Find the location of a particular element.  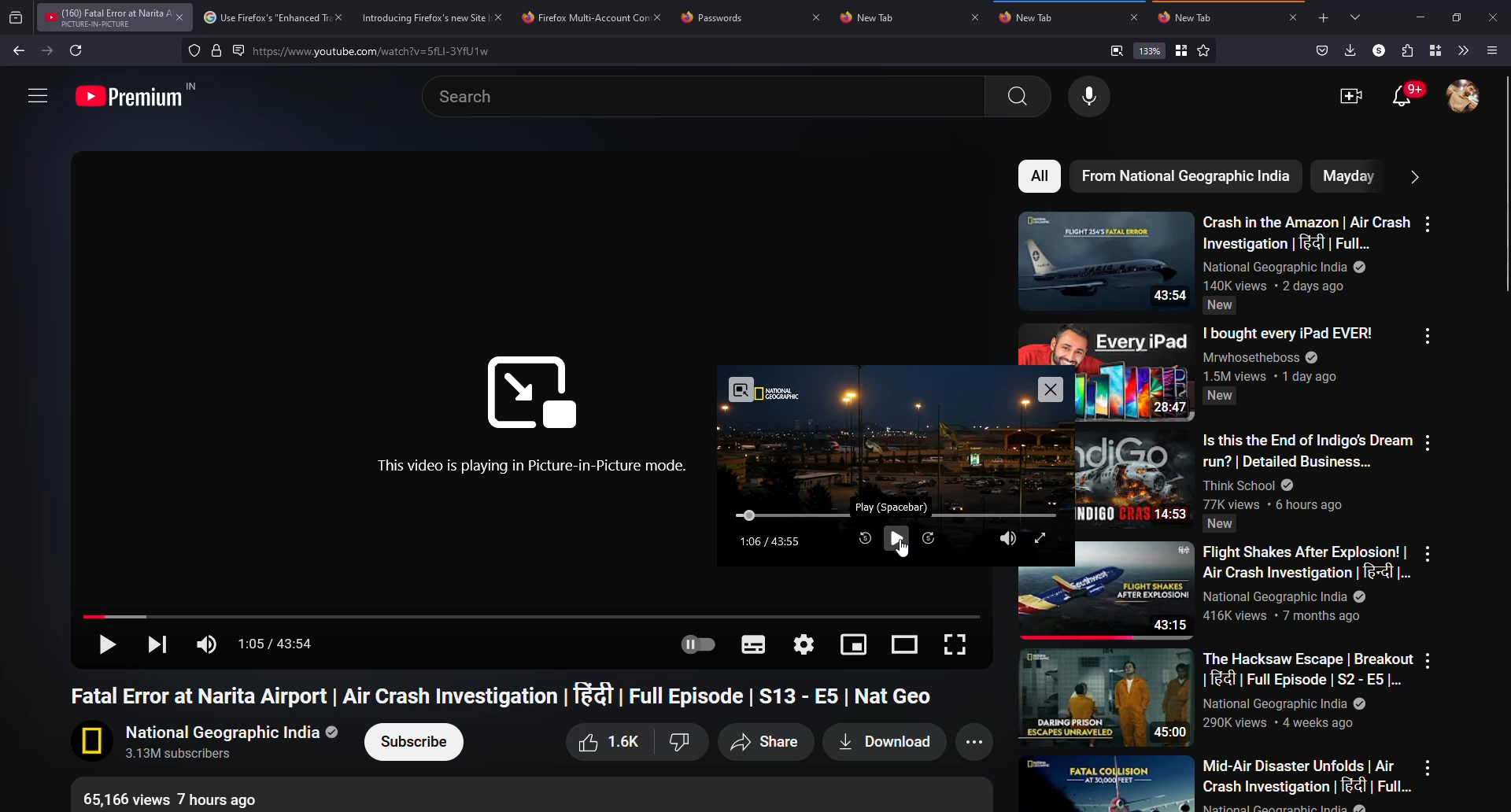

play is located at coordinates (895, 538).